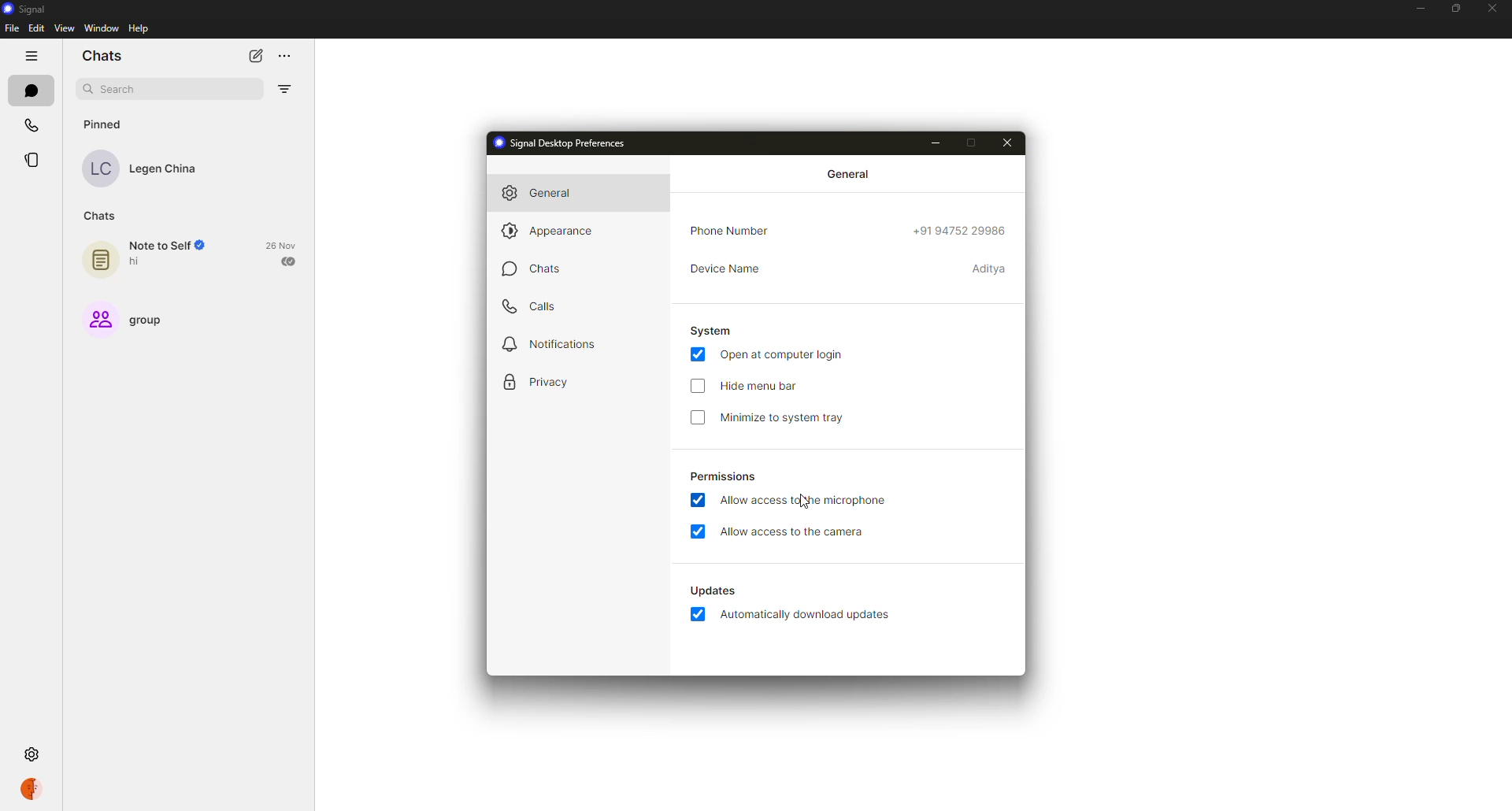 This screenshot has height=811, width=1512. What do you see at coordinates (1420, 8) in the screenshot?
I see `minimize` at bounding box center [1420, 8].